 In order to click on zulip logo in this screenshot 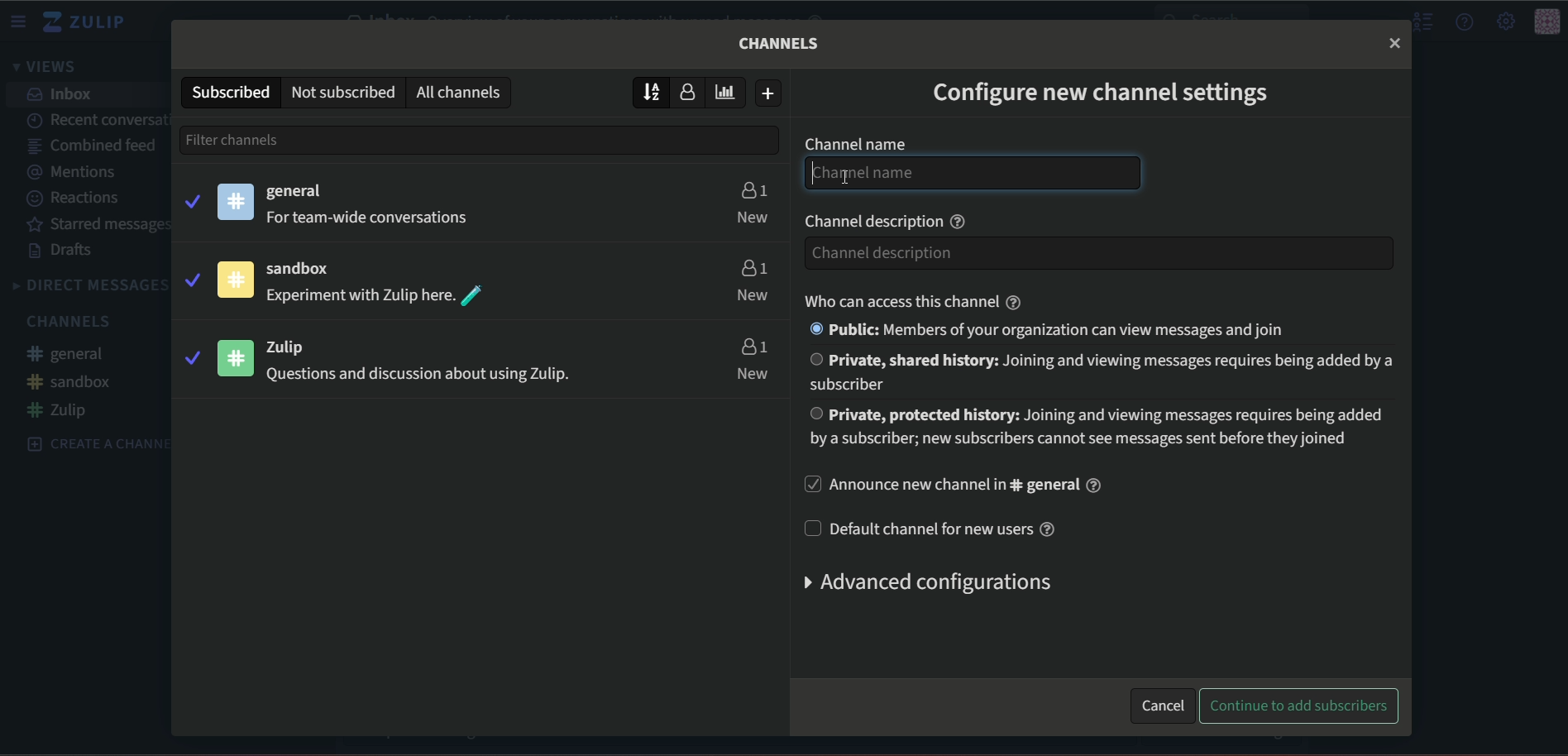, I will do `click(91, 22)`.